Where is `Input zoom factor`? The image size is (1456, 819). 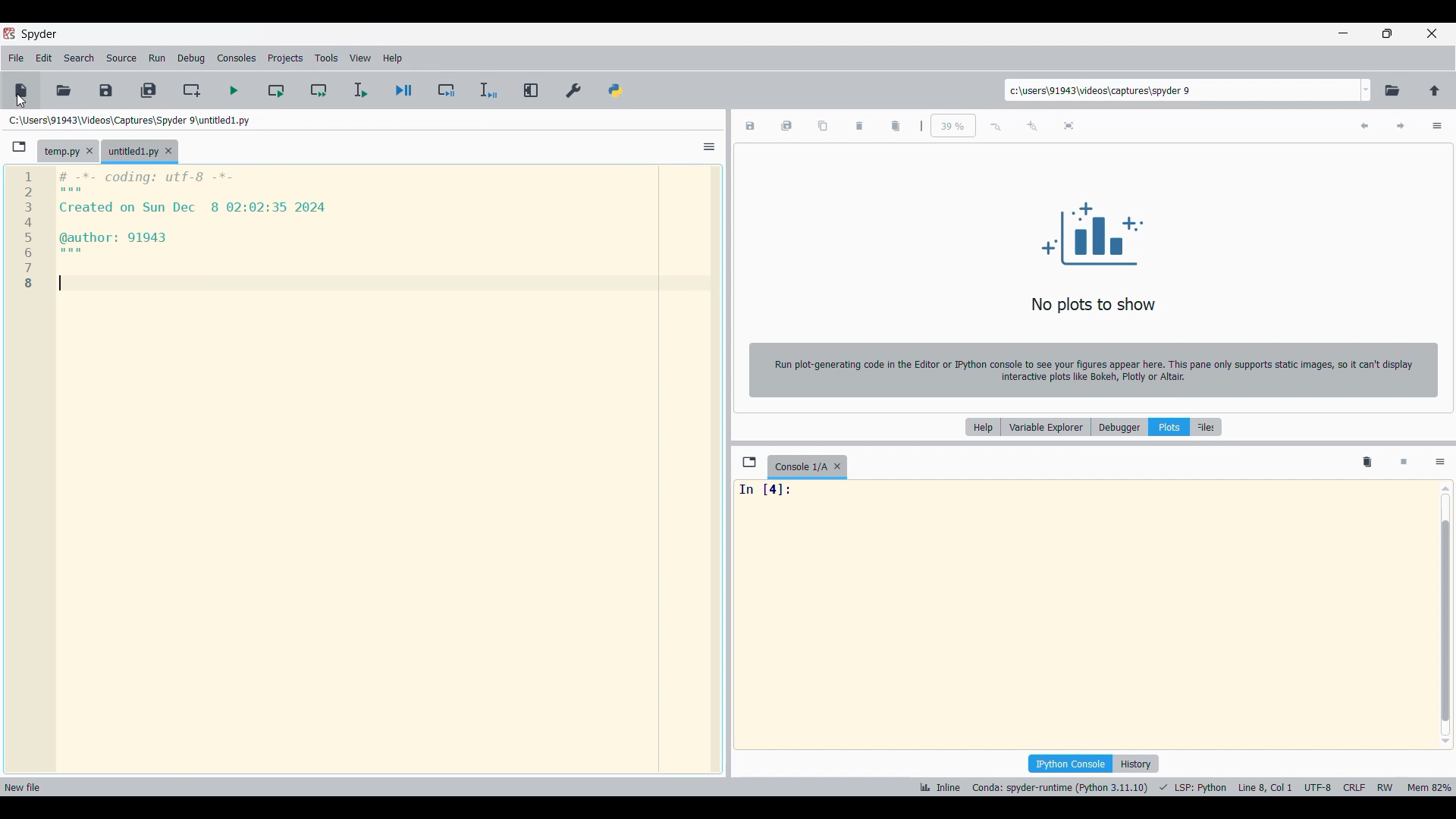
Input zoom factor is located at coordinates (953, 125).